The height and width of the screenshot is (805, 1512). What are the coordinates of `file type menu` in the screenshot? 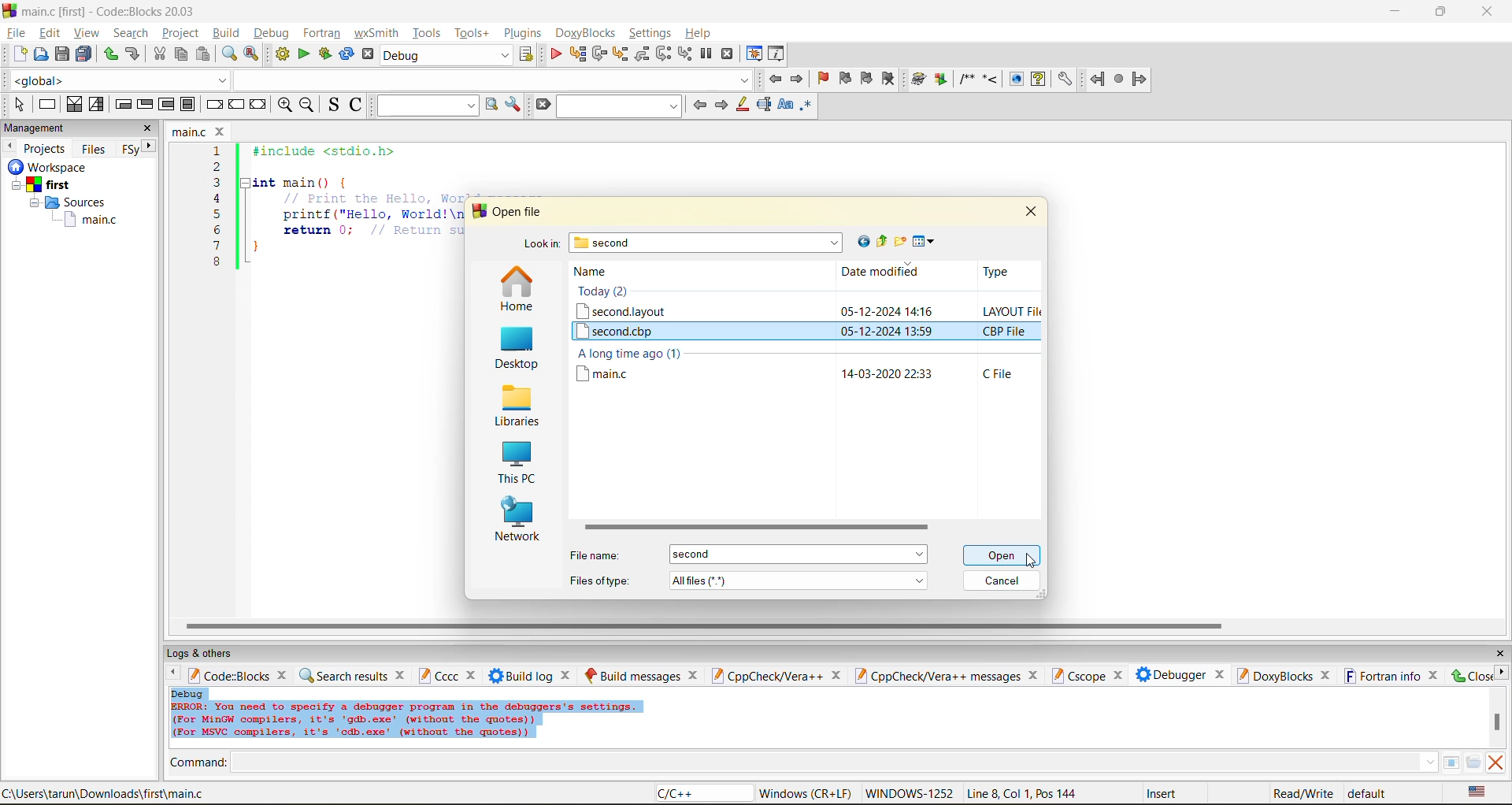 It's located at (799, 580).